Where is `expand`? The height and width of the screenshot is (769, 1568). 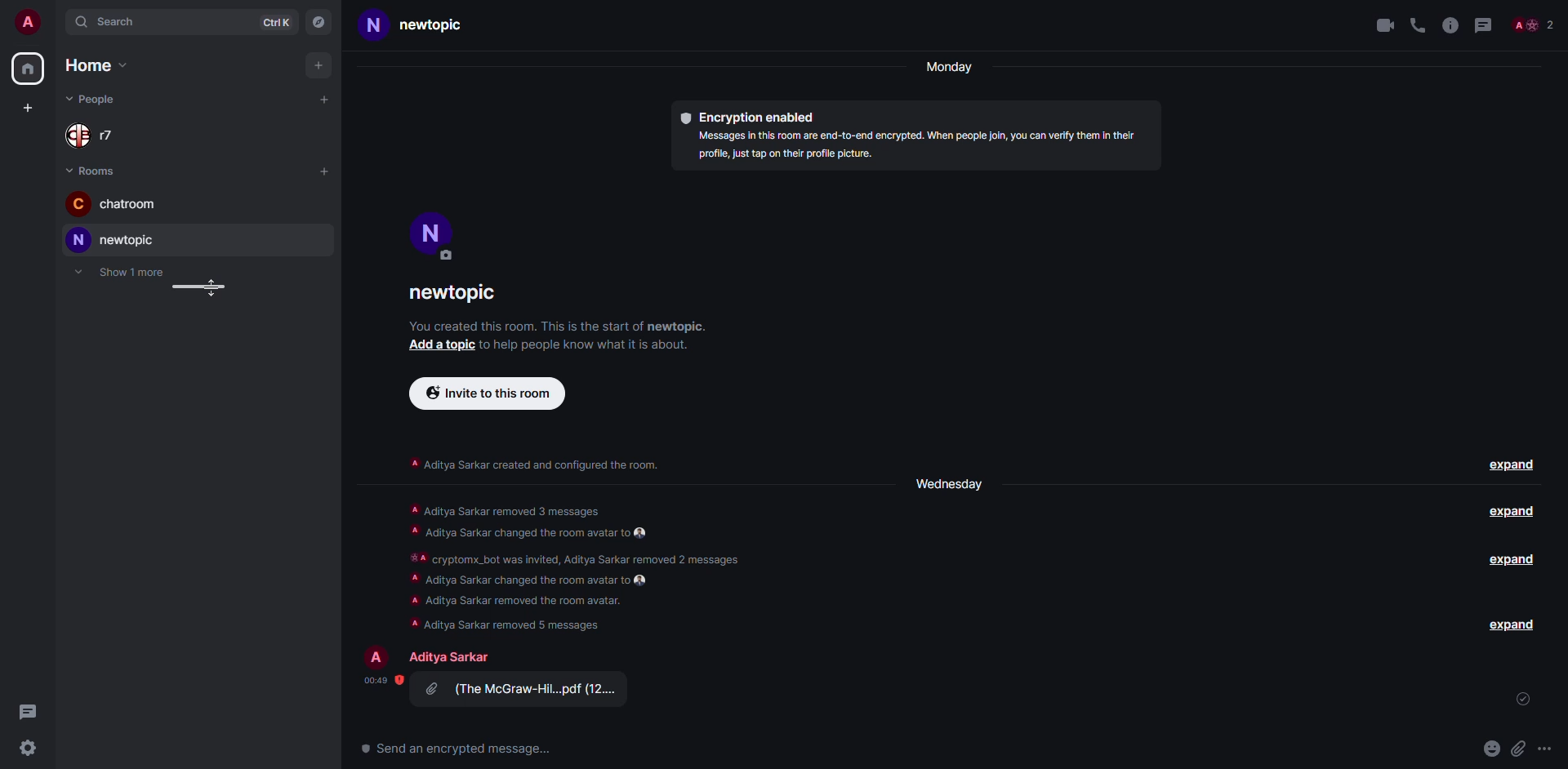
expand is located at coordinates (1512, 624).